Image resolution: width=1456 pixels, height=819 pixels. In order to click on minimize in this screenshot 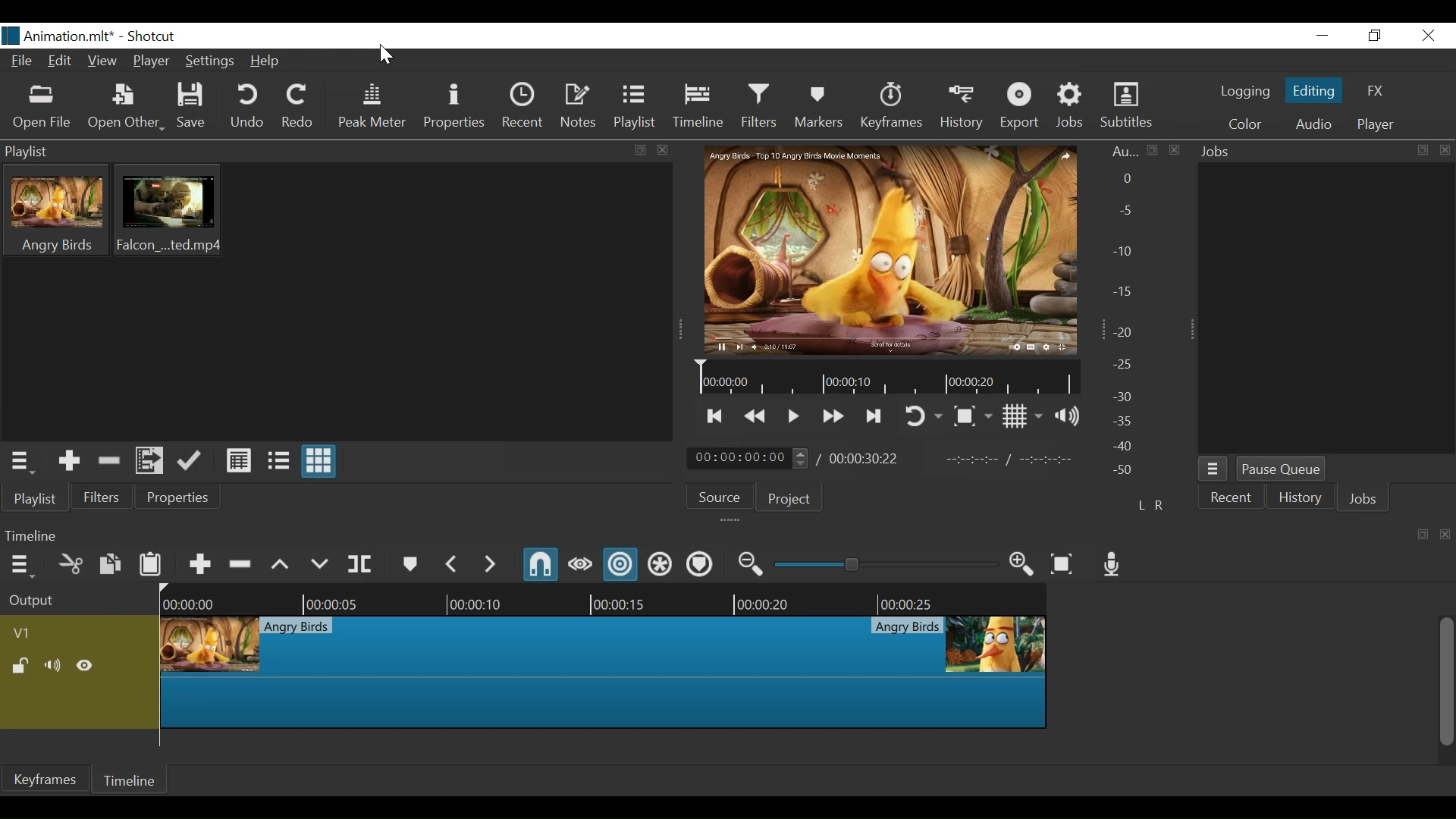, I will do `click(1325, 36)`.